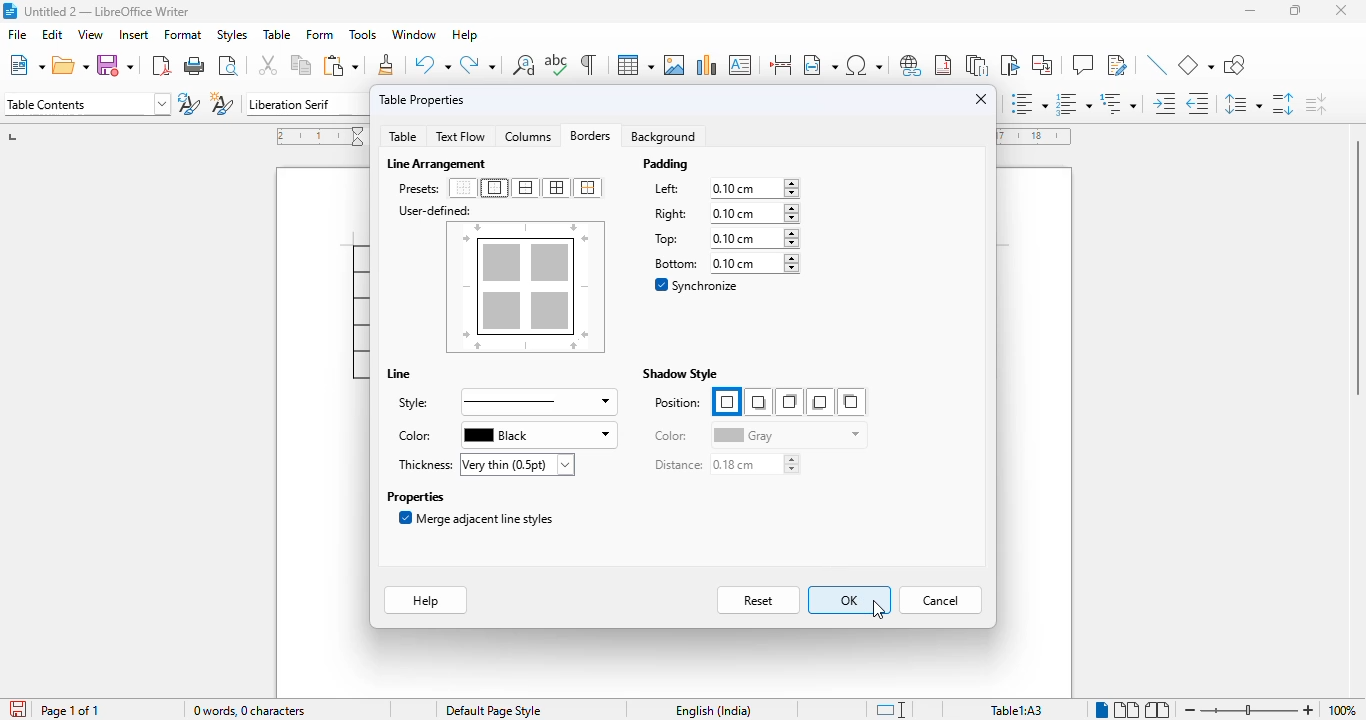 The width and height of the screenshot is (1366, 720). I want to click on color: black, so click(504, 435).